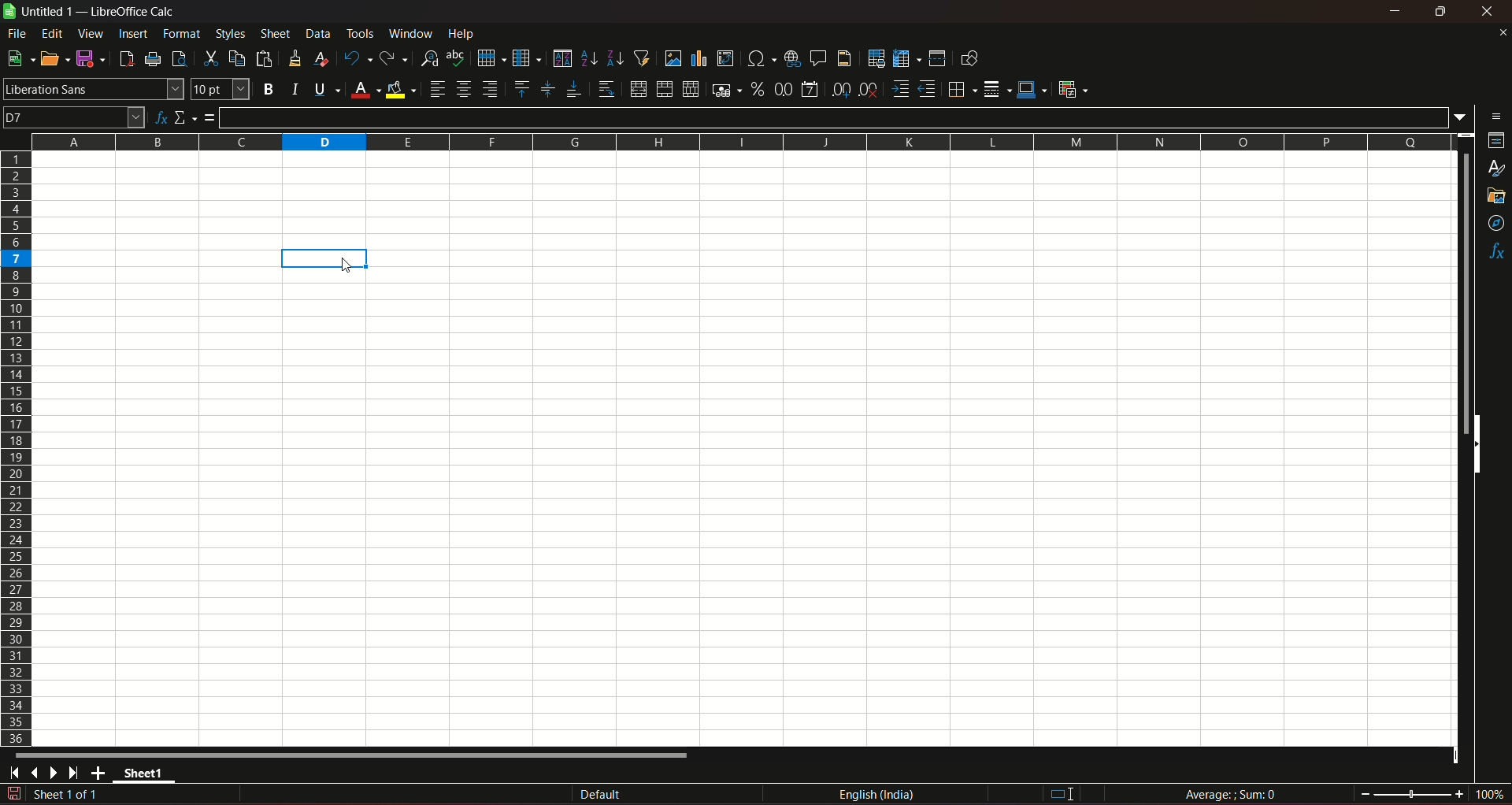 The width and height of the screenshot is (1512, 805). What do you see at coordinates (725, 90) in the screenshot?
I see `format as currency` at bounding box center [725, 90].